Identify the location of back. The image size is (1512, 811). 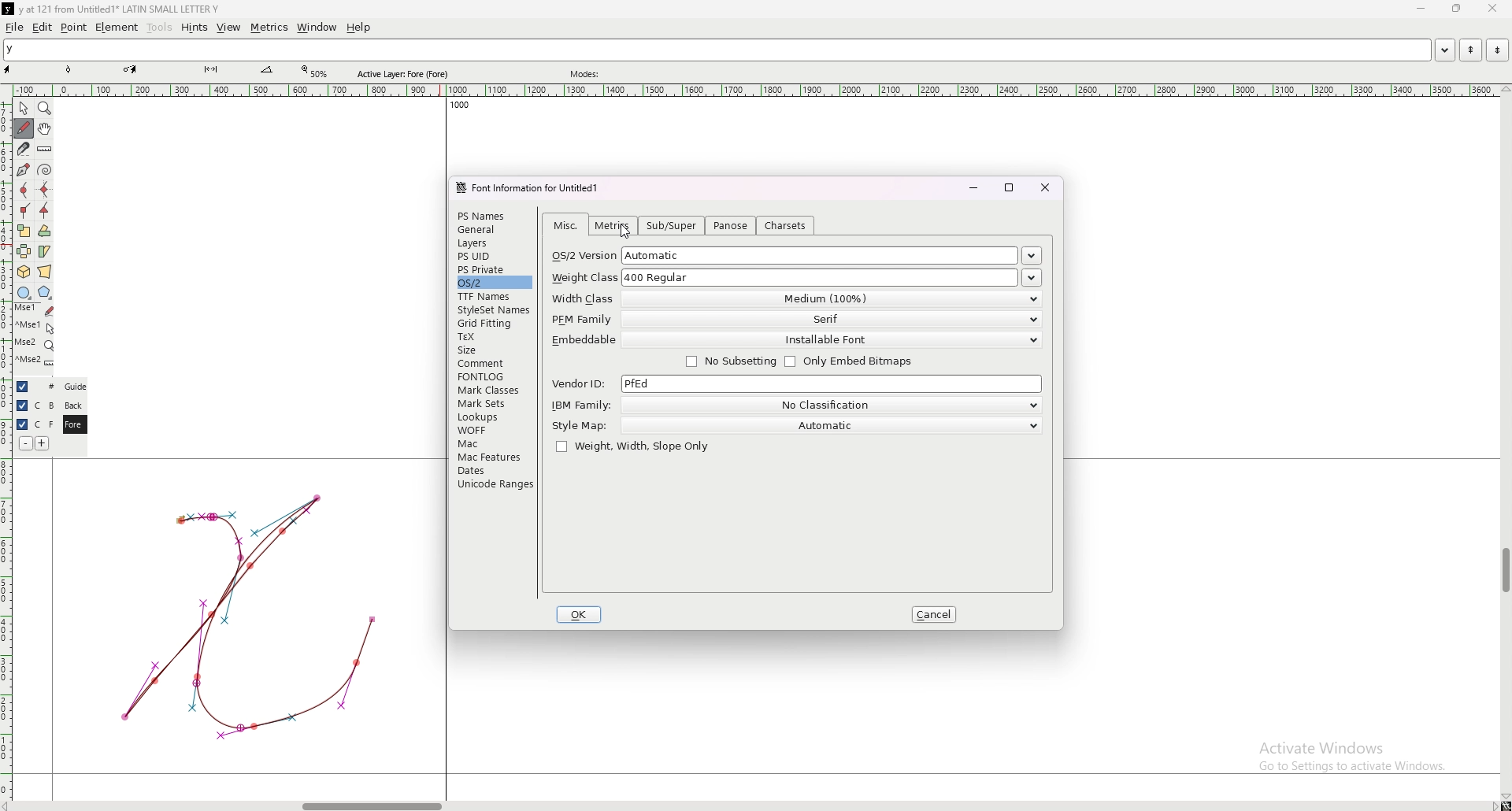
(73, 405).